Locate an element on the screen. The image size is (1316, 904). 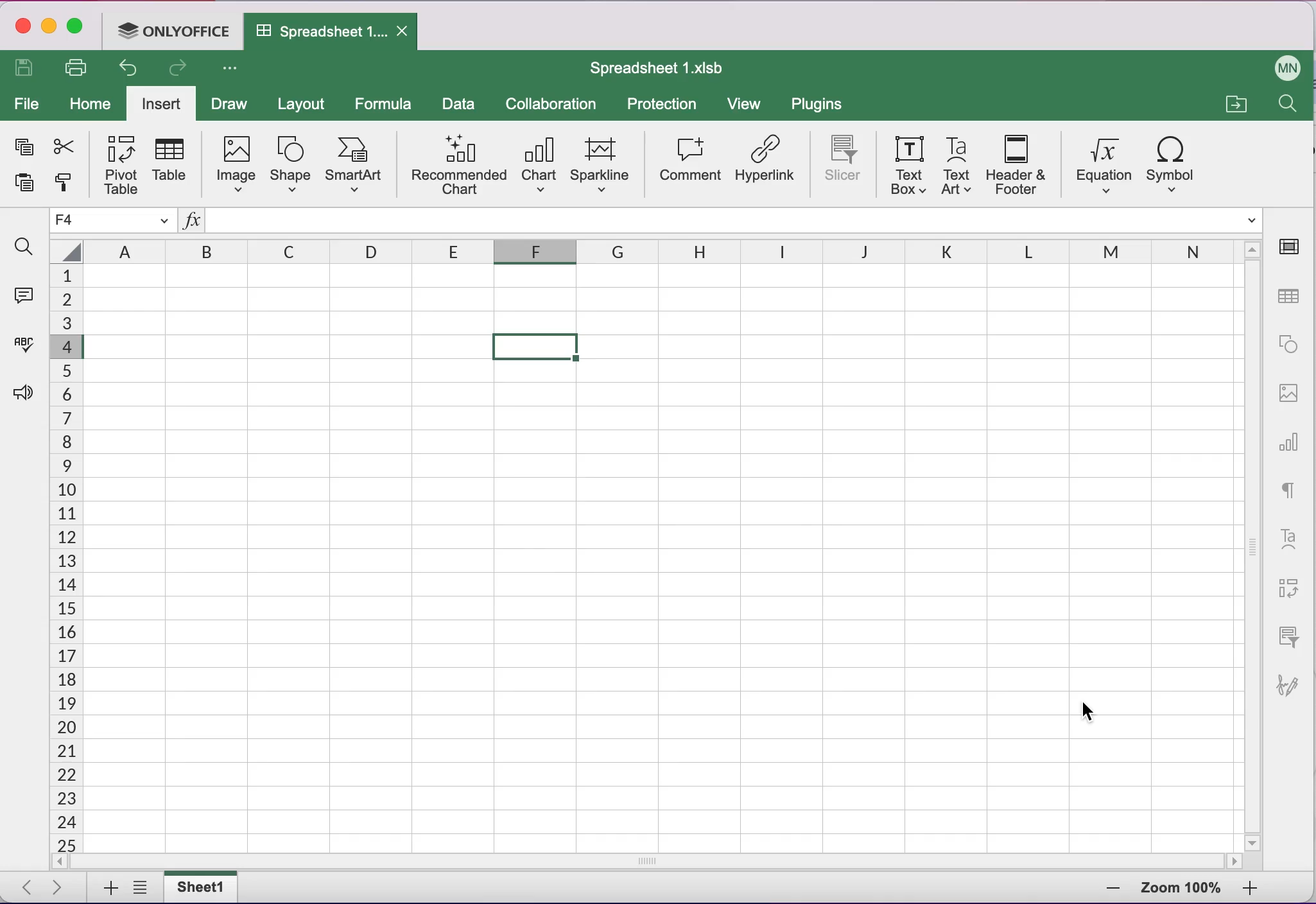
text art is located at coordinates (957, 167).